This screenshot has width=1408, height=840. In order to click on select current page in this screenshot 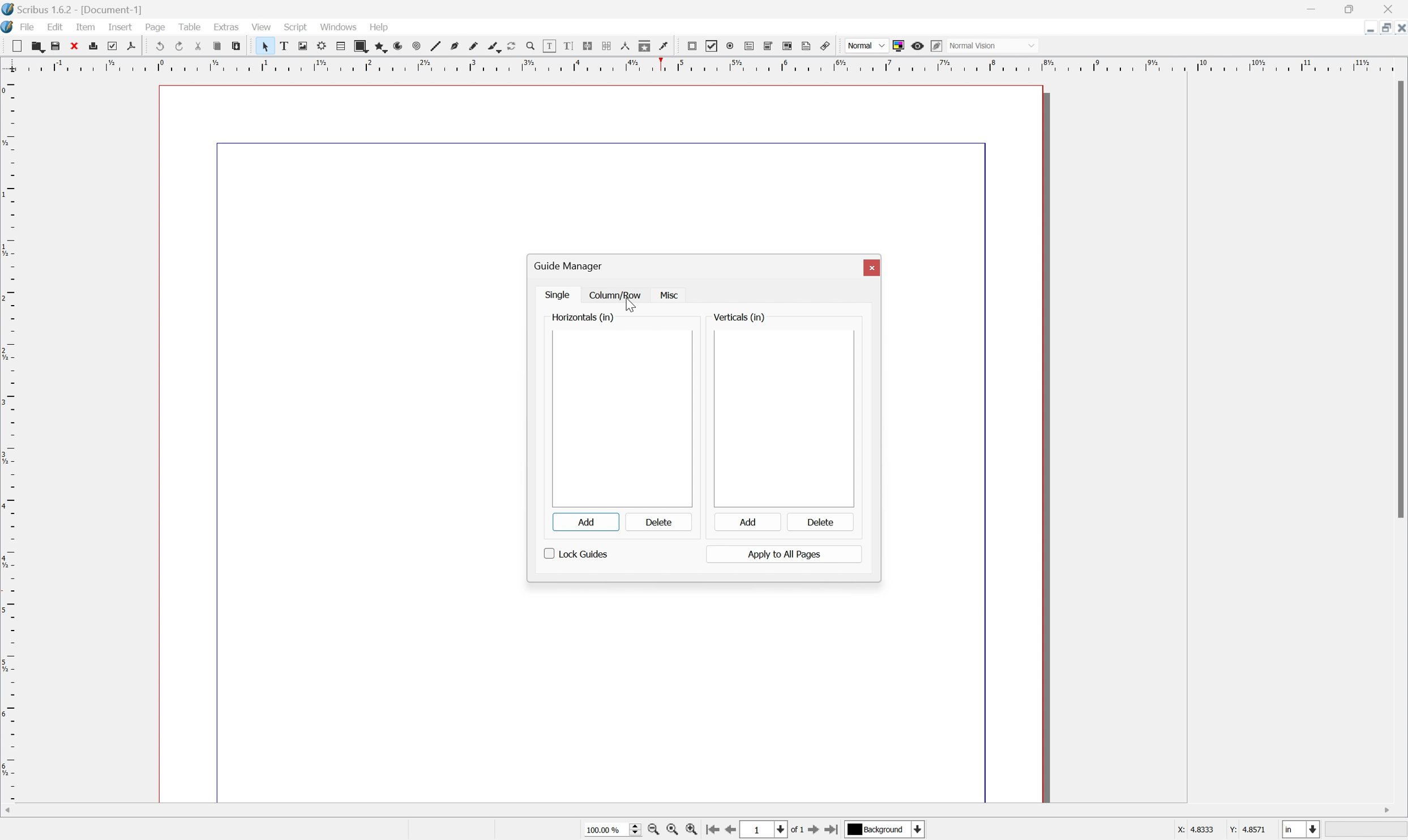, I will do `click(771, 830)`.